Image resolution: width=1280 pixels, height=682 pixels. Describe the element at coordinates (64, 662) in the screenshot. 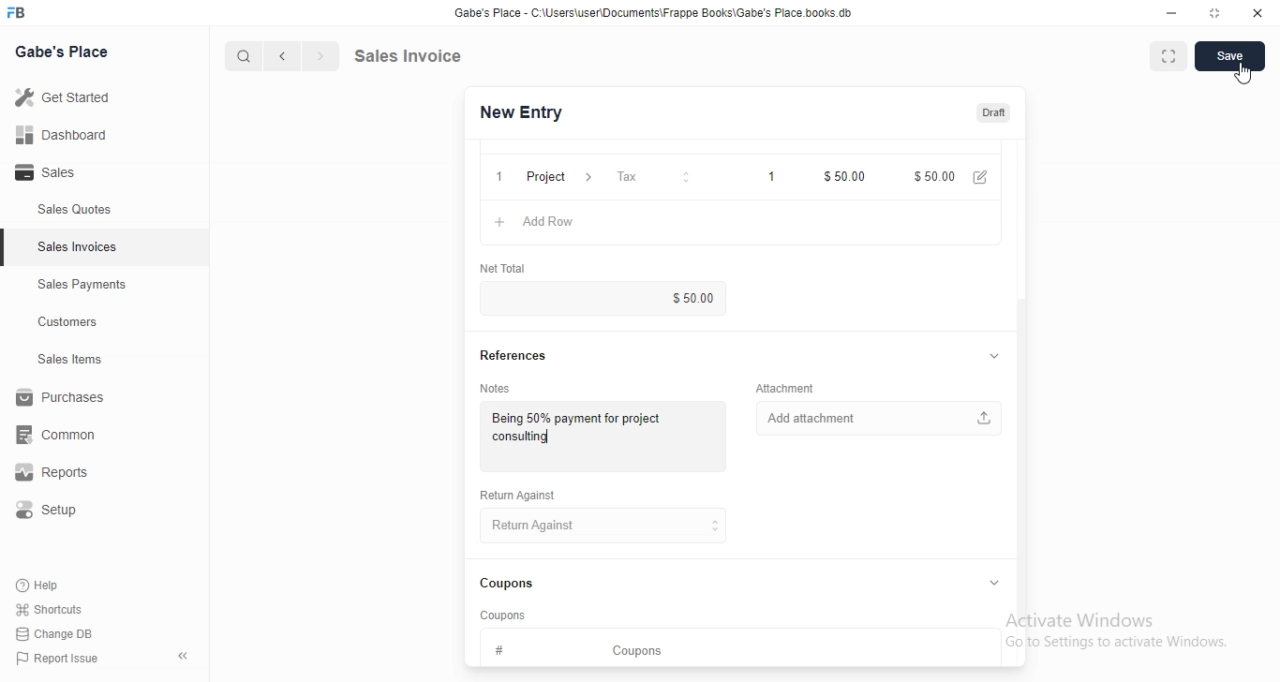

I see `PP Report Issue.` at that location.